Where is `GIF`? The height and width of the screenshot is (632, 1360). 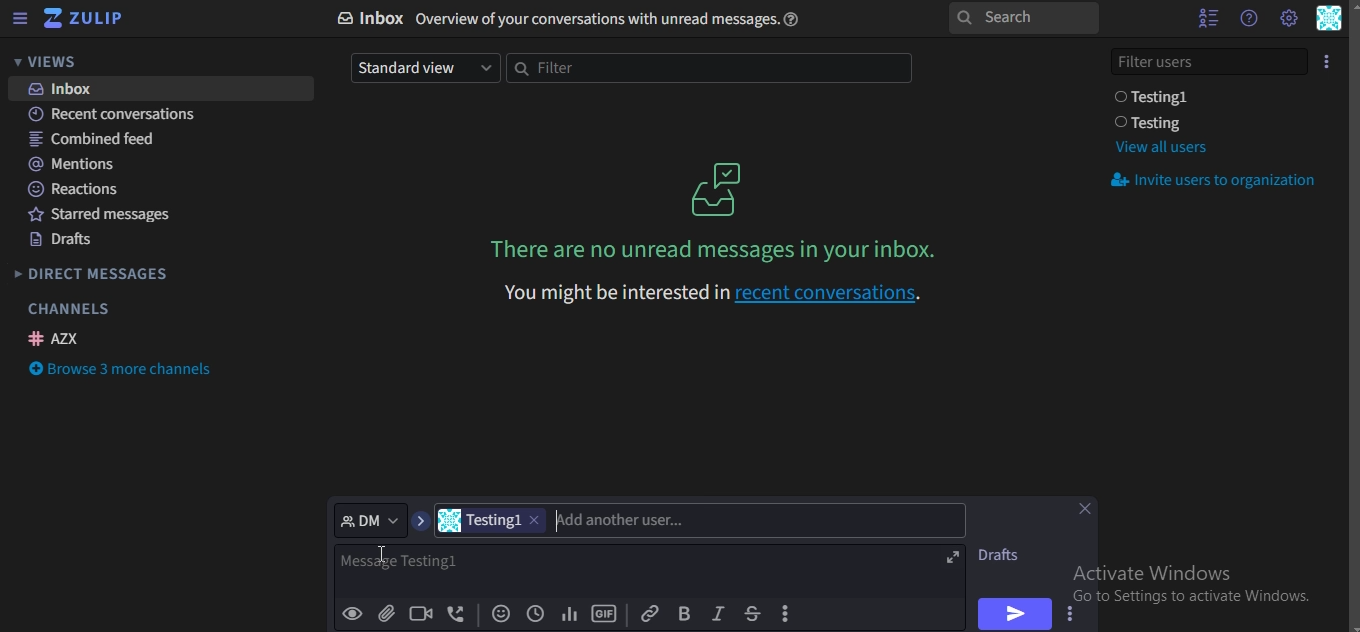
GIF is located at coordinates (604, 614).